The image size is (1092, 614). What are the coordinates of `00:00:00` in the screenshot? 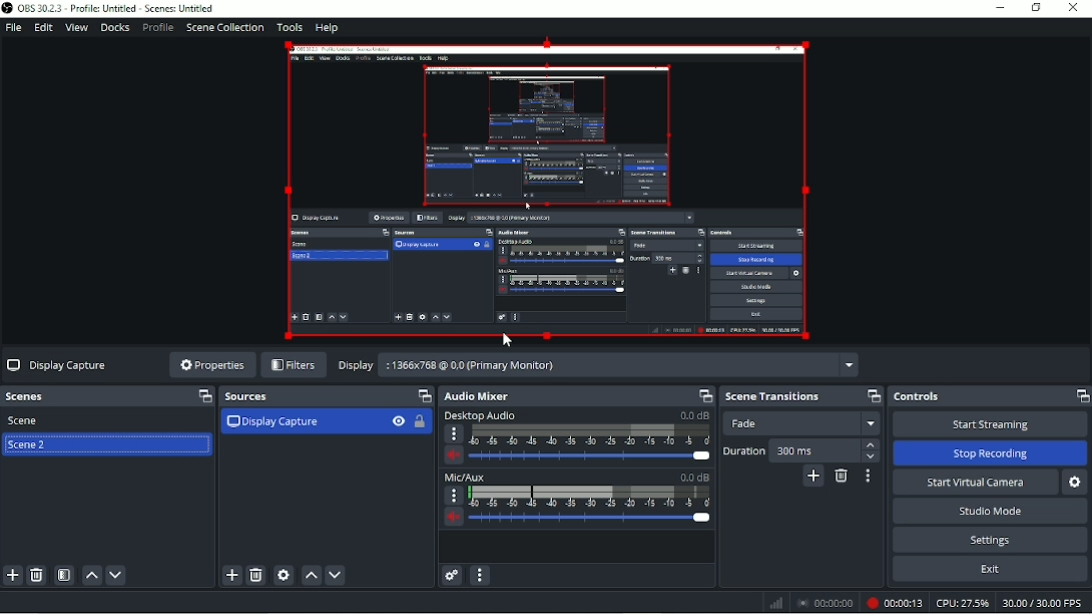 It's located at (825, 604).